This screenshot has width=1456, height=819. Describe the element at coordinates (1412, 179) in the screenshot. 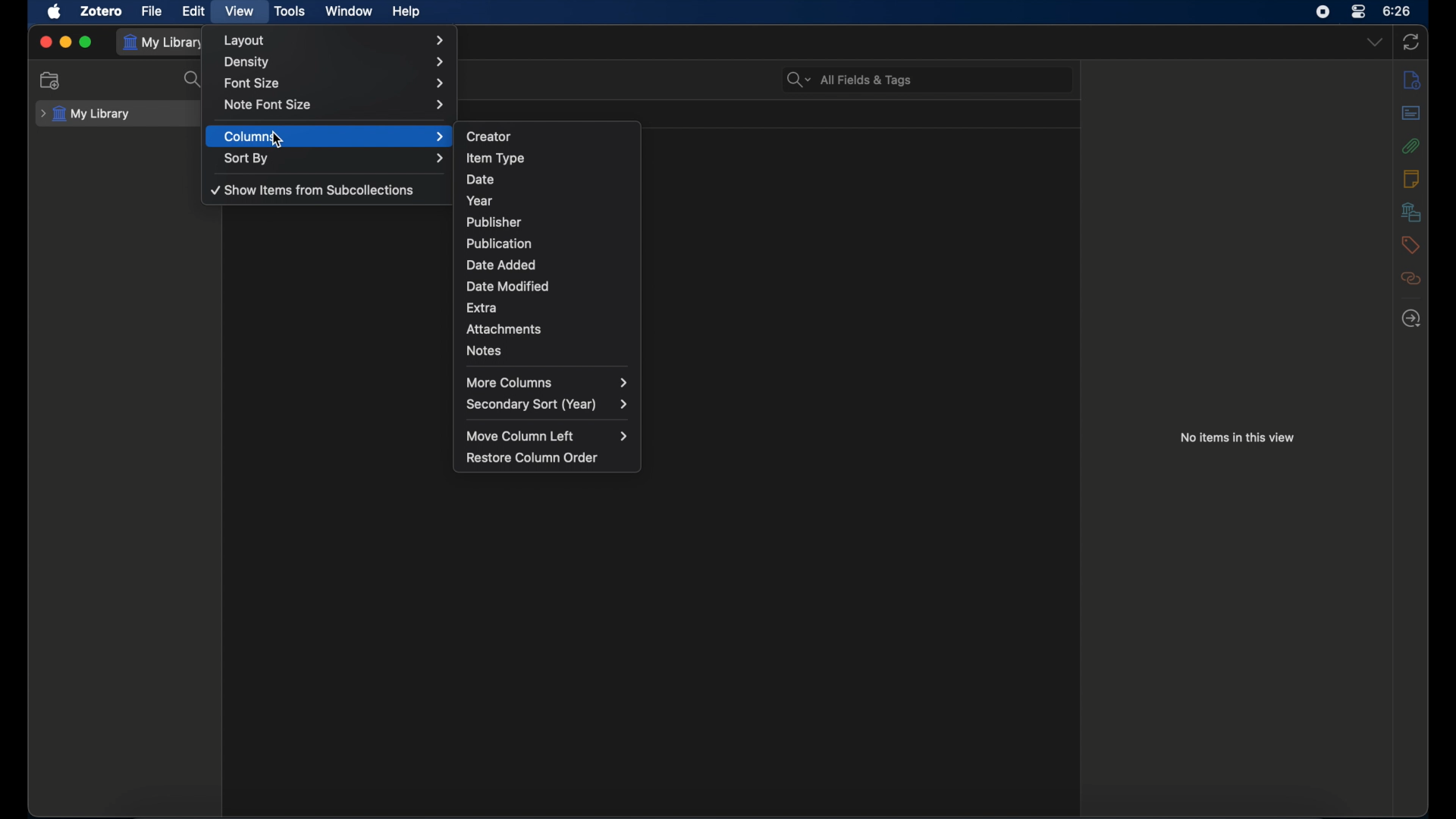

I see `notes` at that location.